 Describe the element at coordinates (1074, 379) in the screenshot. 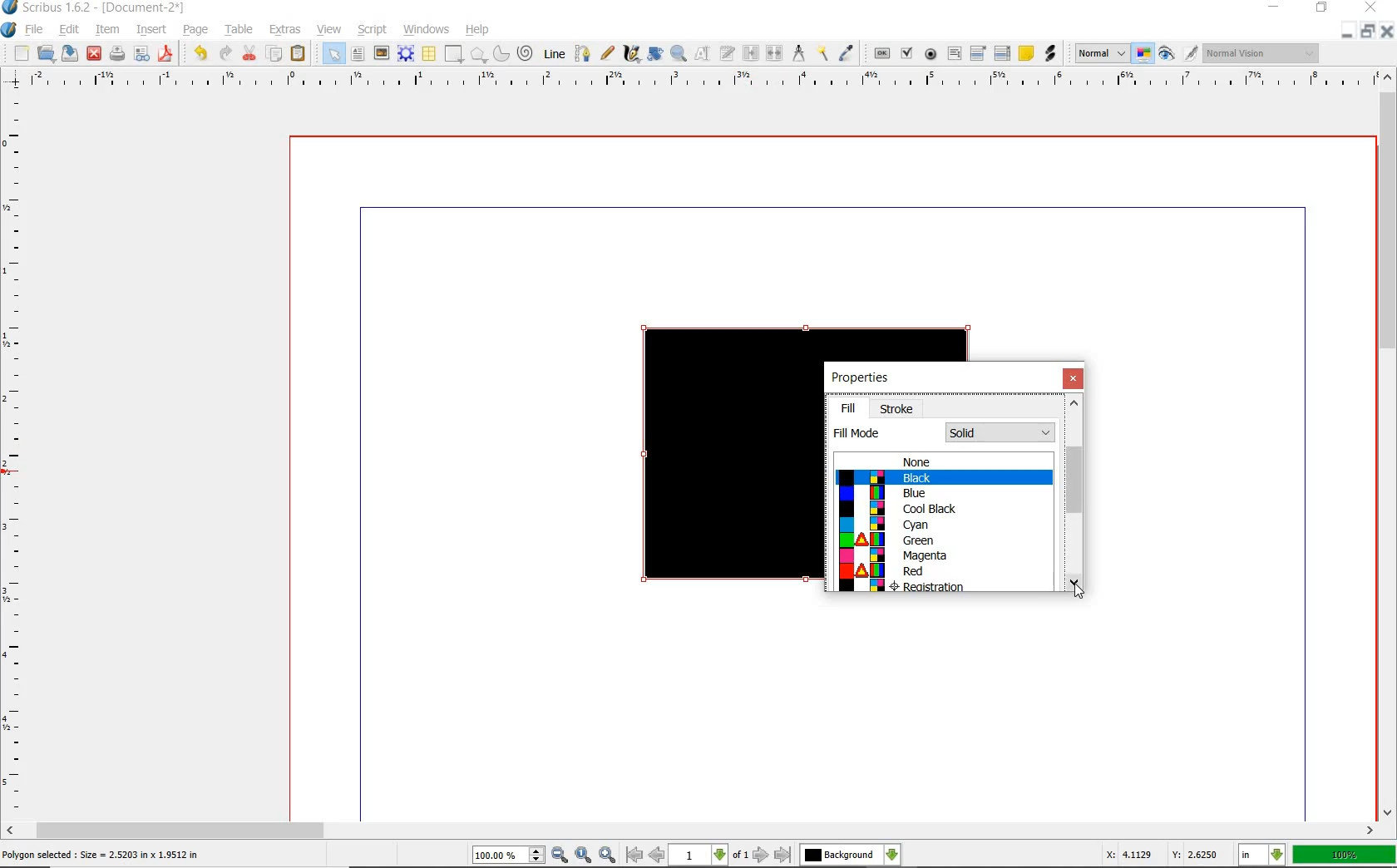

I see `close` at that location.